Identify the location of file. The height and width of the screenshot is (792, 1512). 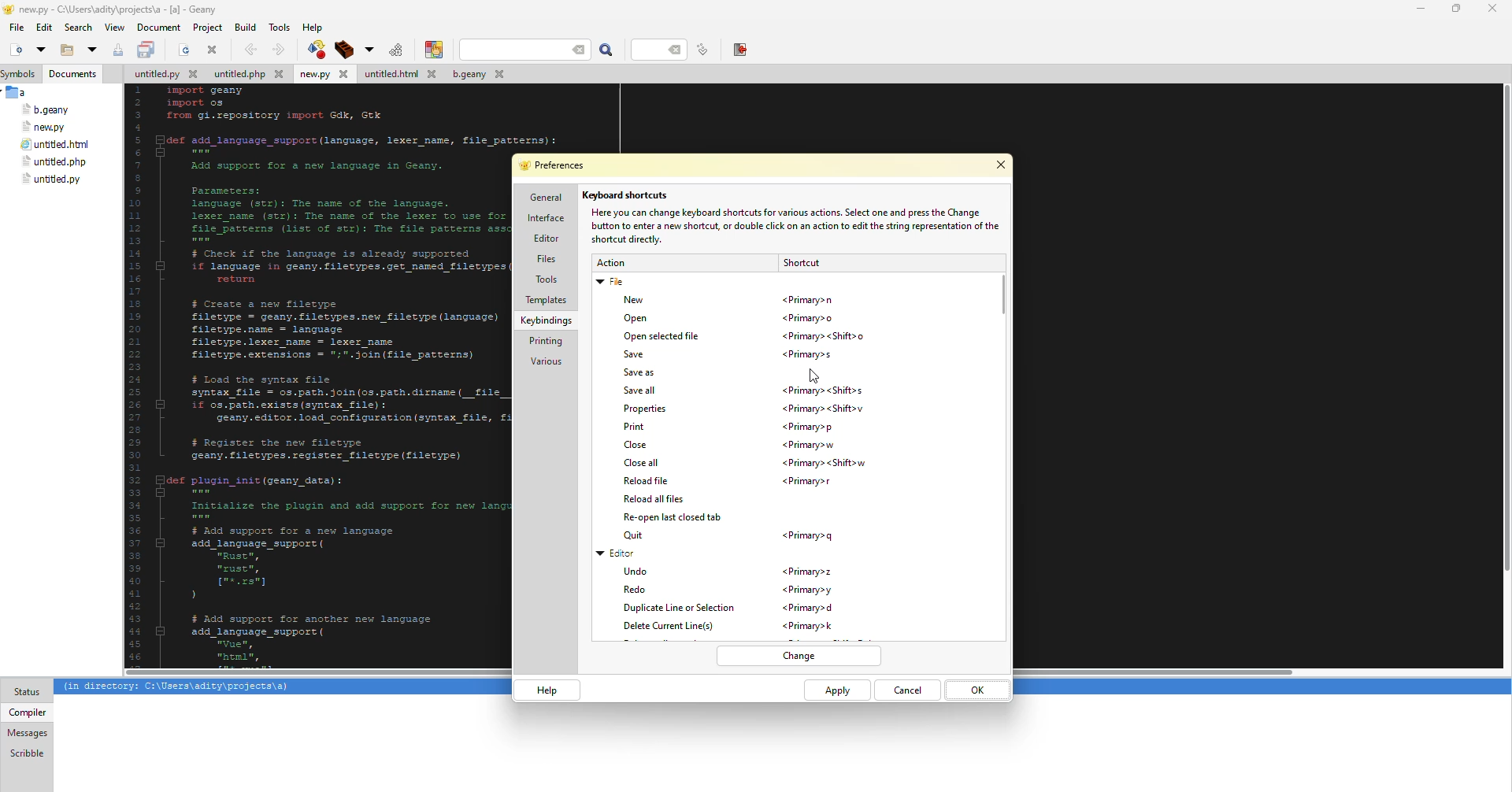
(398, 75).